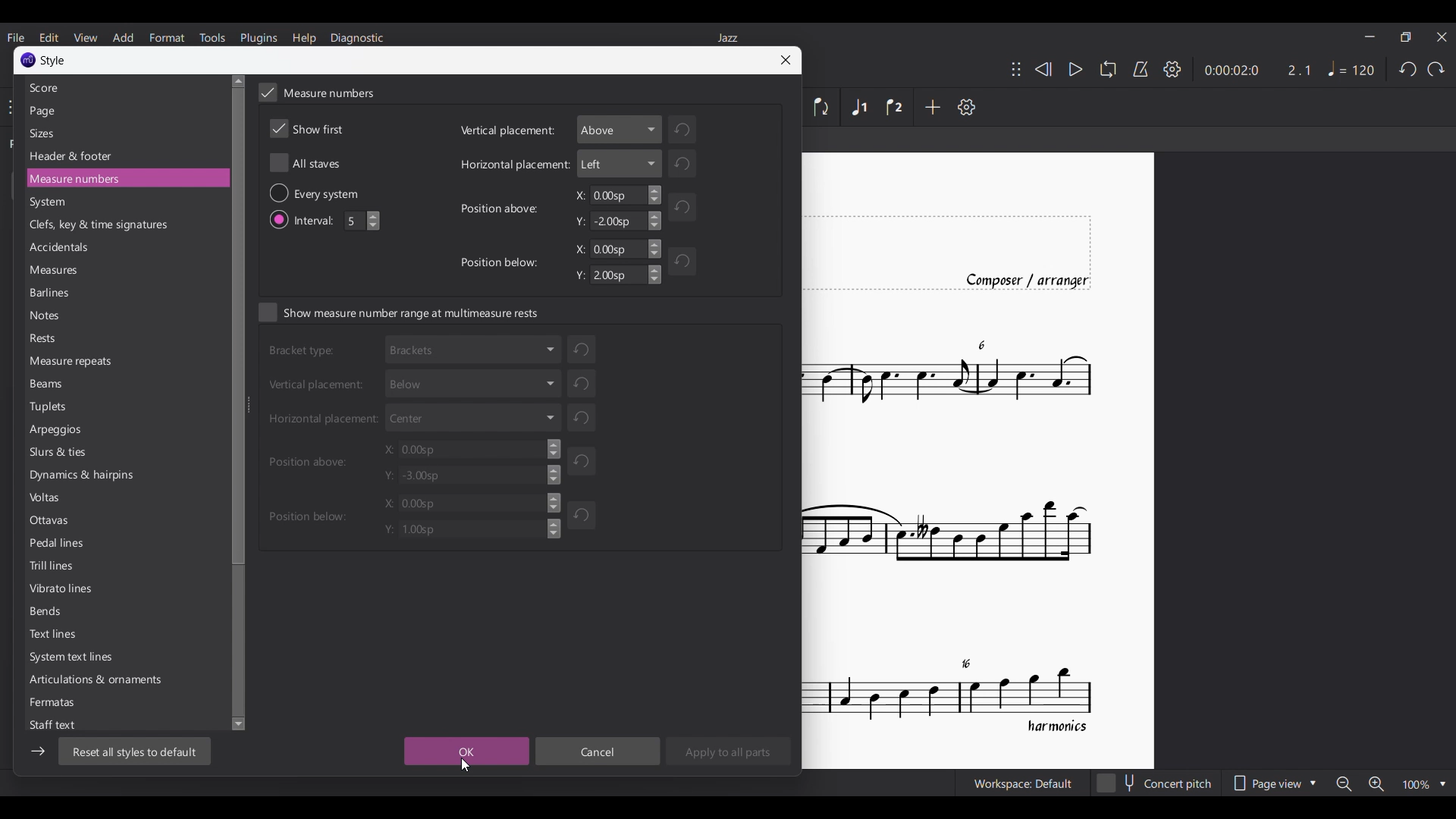 This screenshot has width=1456, height=819. What do you see at coordinates (932, 107) in the screenshot?
I see `Add` at bounding box center [932, 107].